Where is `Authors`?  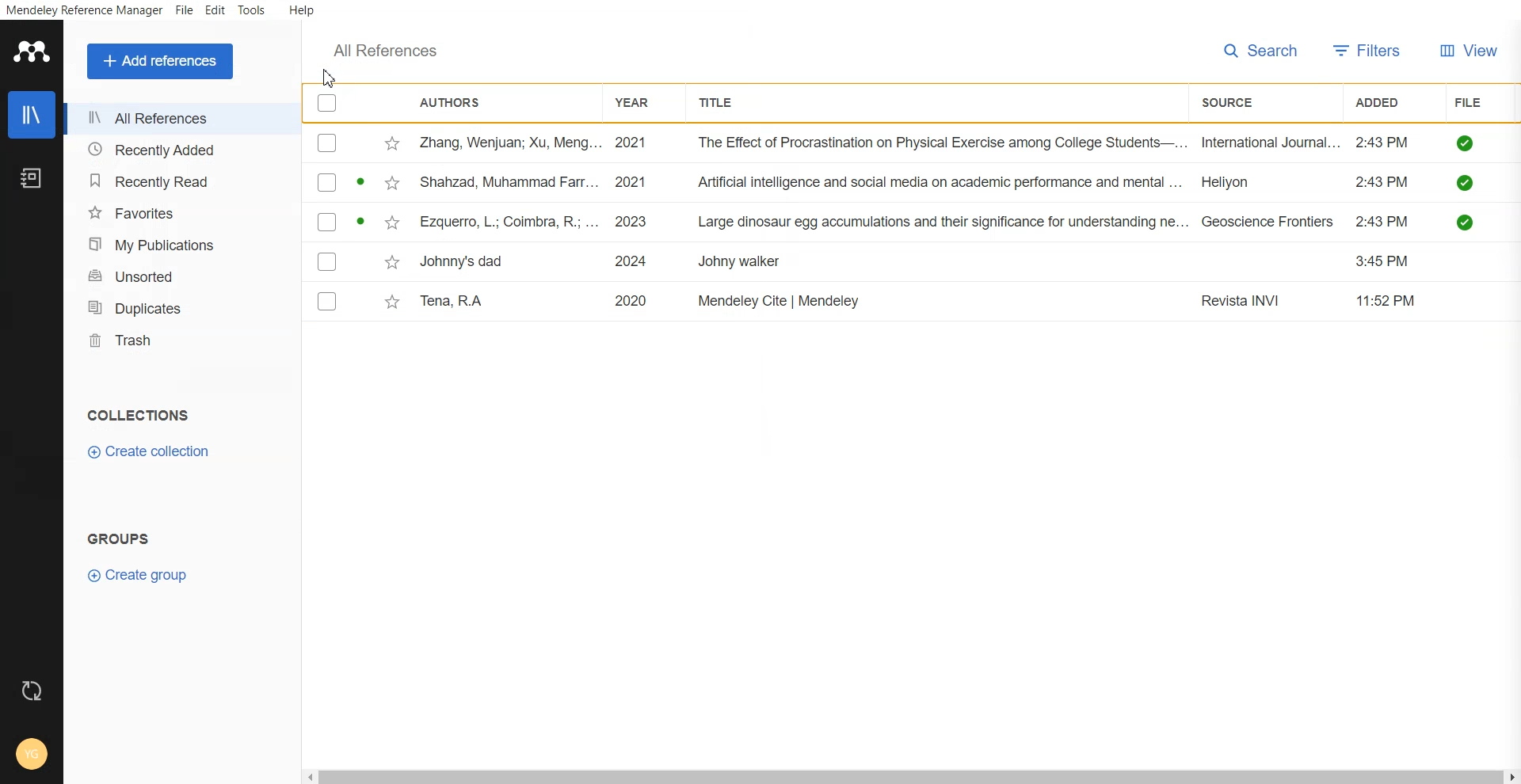 Authors is located at coordinates (458, 102).